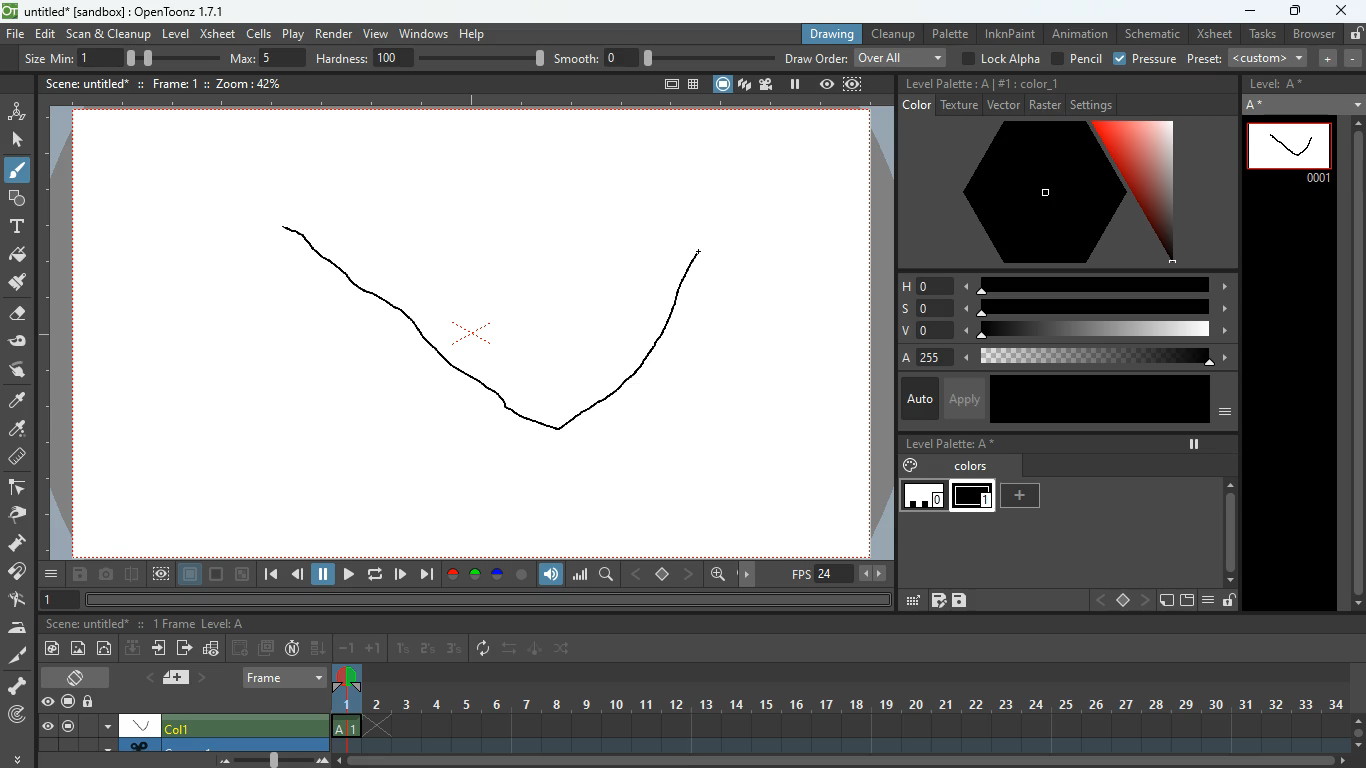 The height and width of the screenshot is (768, 1366). What do you see at coordinates (999, 58) in the screenshot?
I see `lock alpha` at bounding box center [999, 58].